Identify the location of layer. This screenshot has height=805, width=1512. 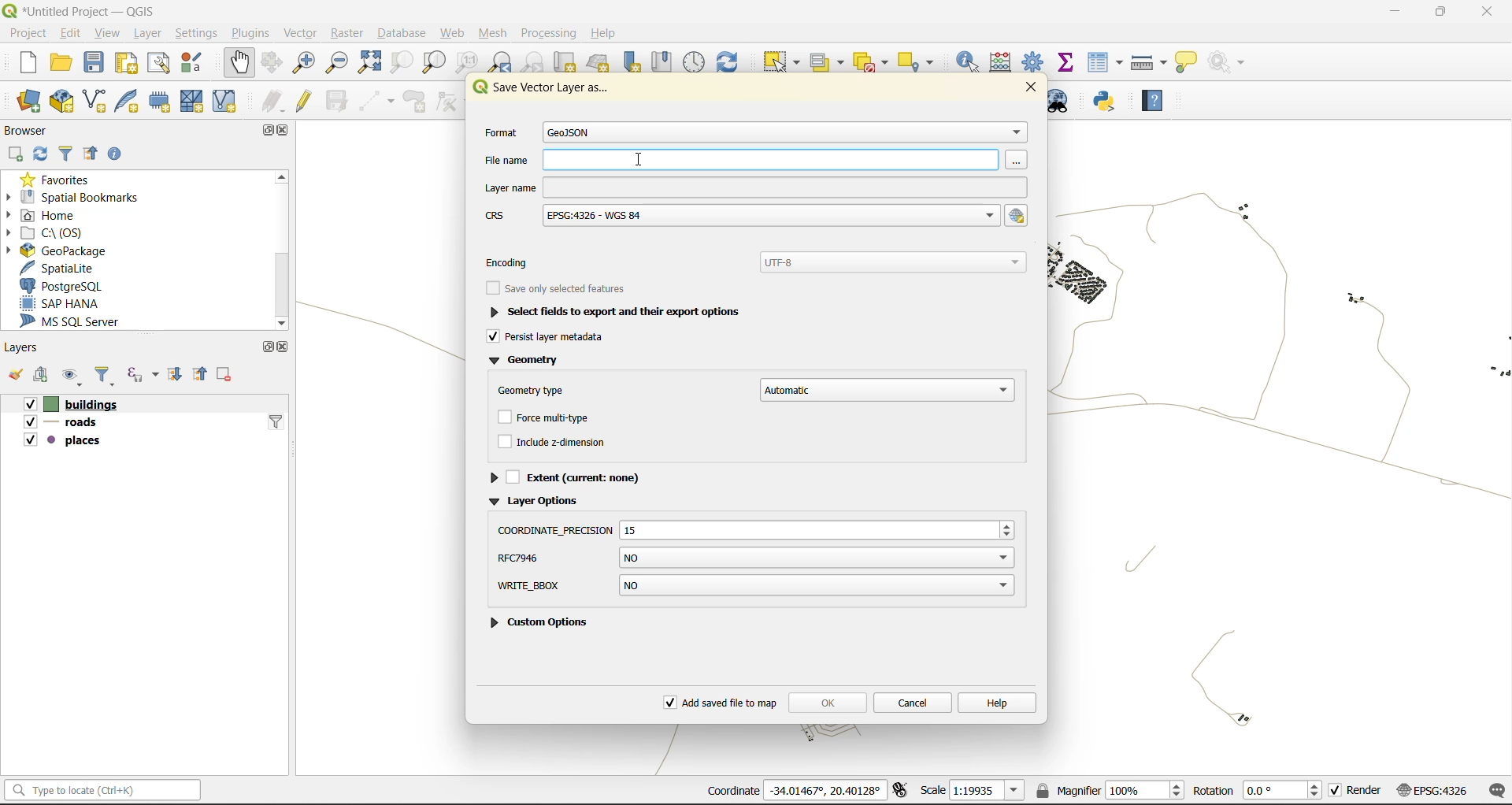
(146, 34).